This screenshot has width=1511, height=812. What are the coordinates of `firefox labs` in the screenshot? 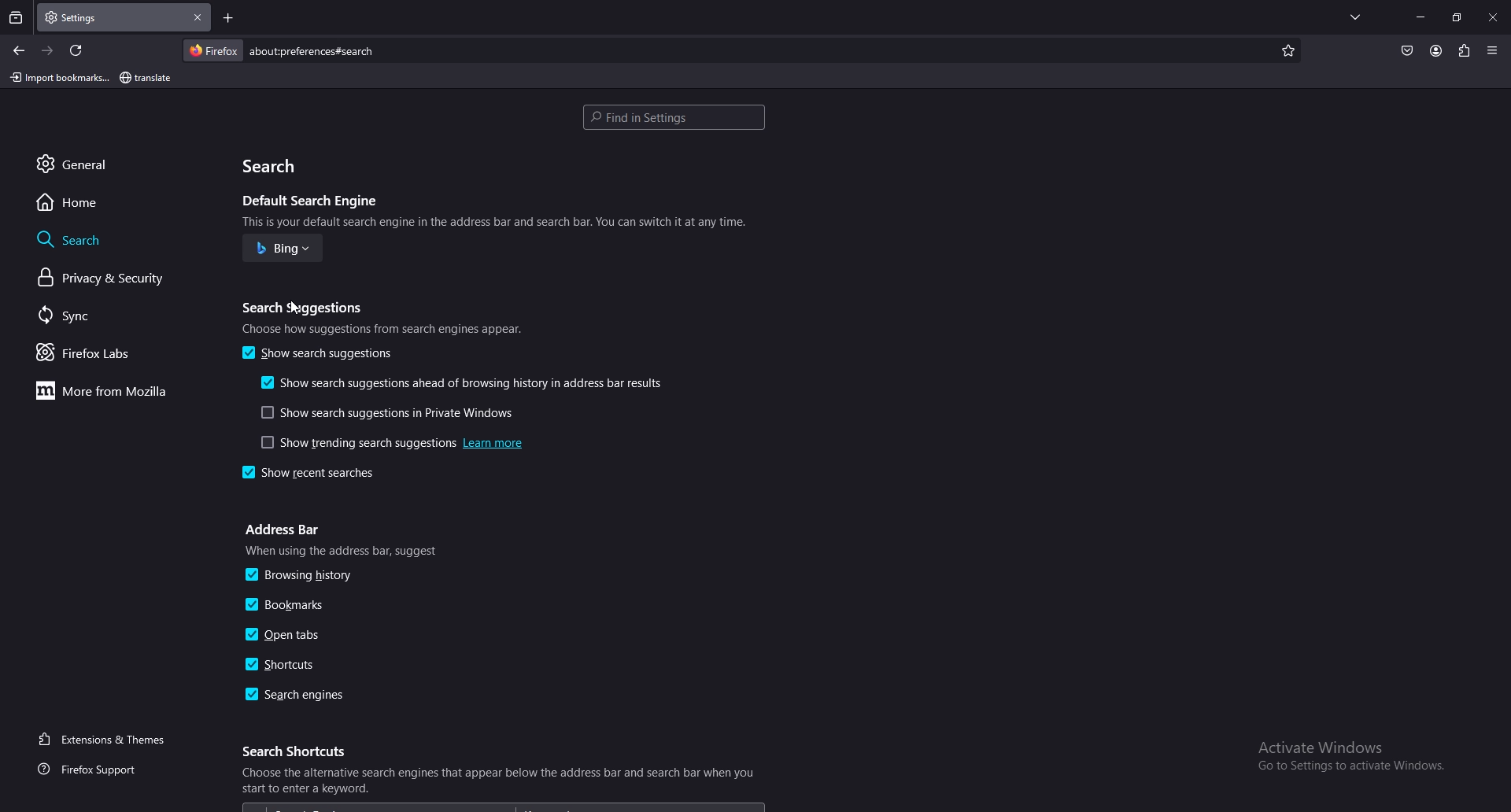 It's located at (109, 352).